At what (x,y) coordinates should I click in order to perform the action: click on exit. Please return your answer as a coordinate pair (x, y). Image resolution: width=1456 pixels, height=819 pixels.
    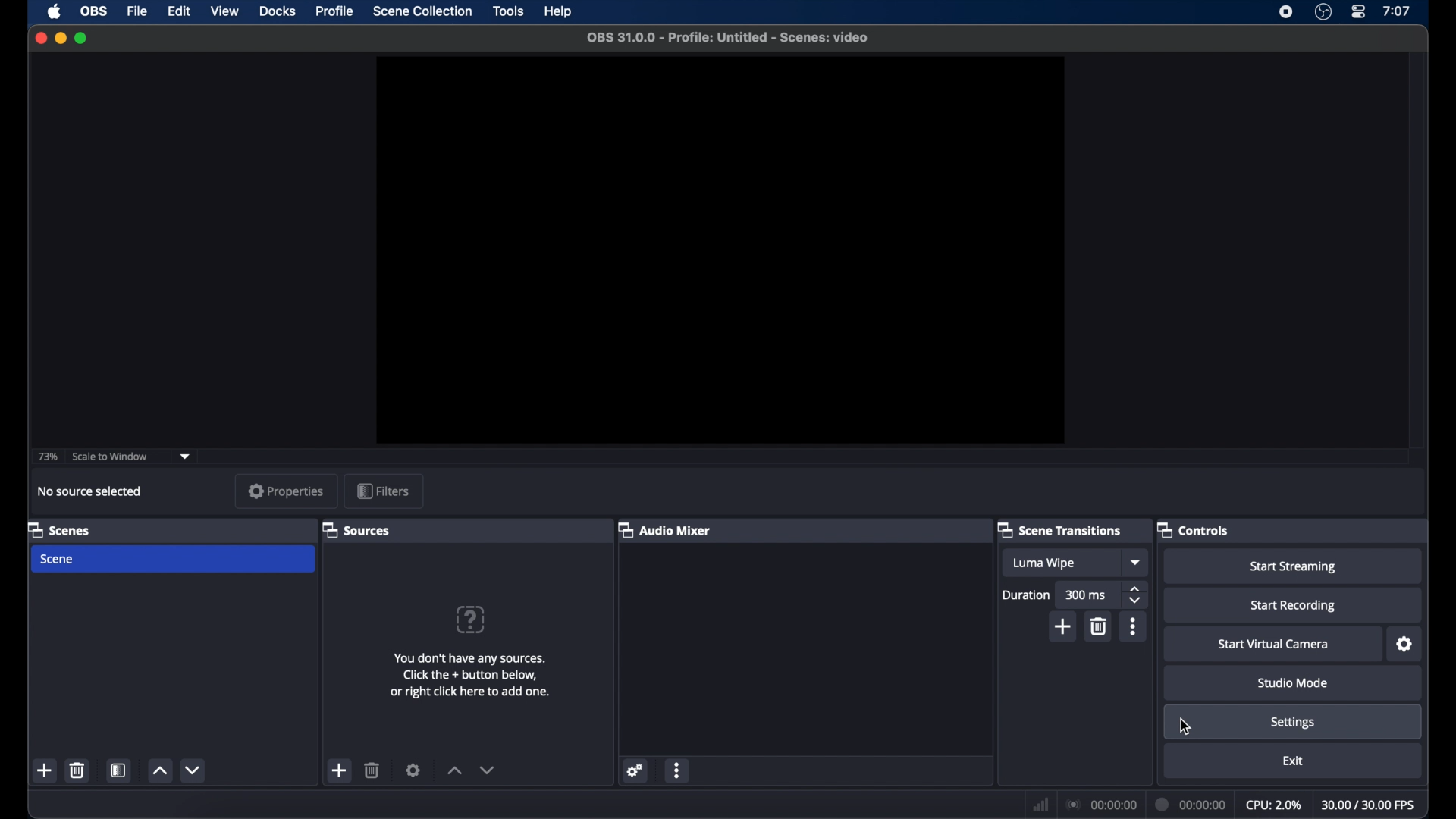
    Looking at the image, I should click on (1293, 760).